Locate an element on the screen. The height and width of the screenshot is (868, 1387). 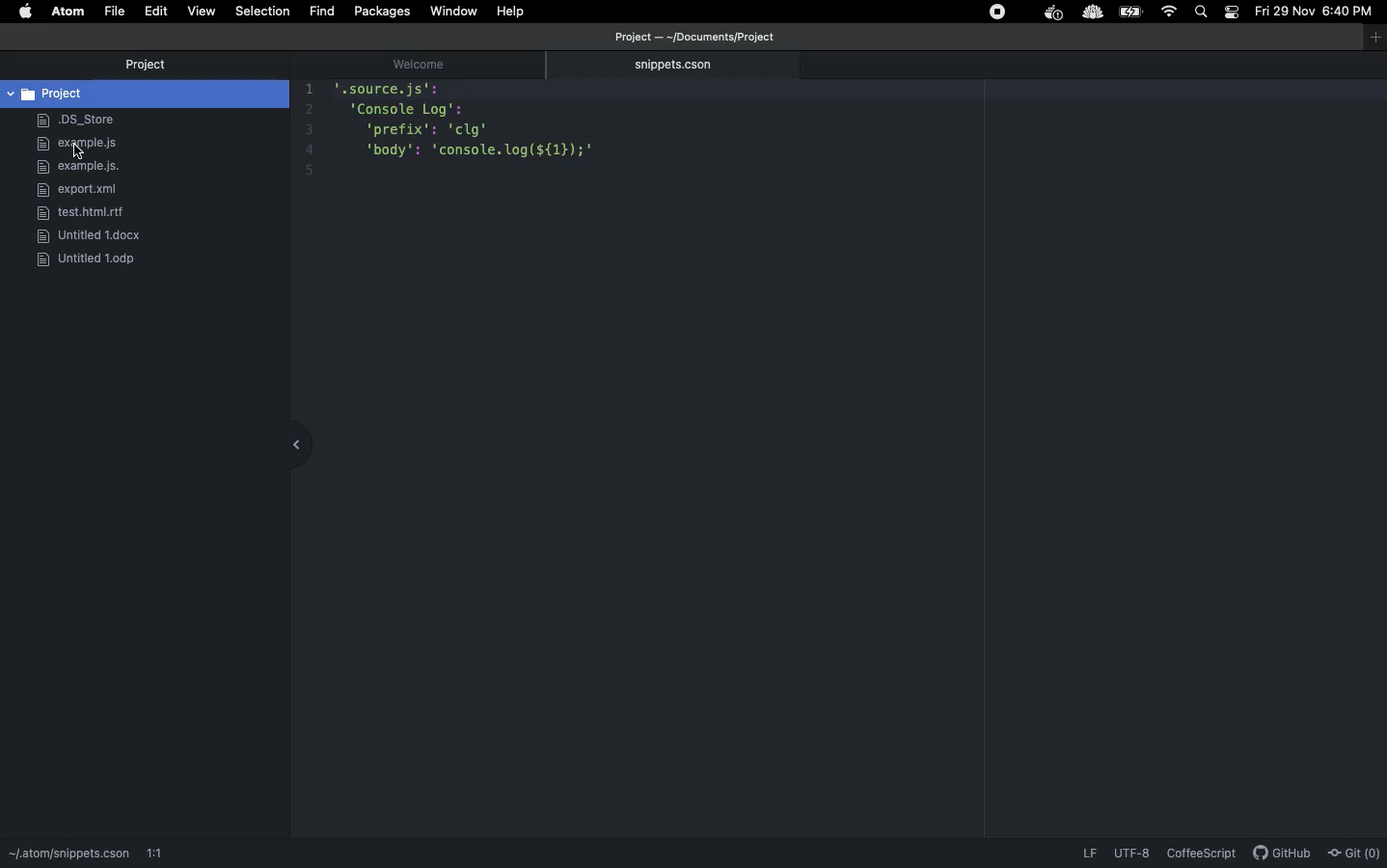
UTF-8 is located at coordinates (1129, 852).